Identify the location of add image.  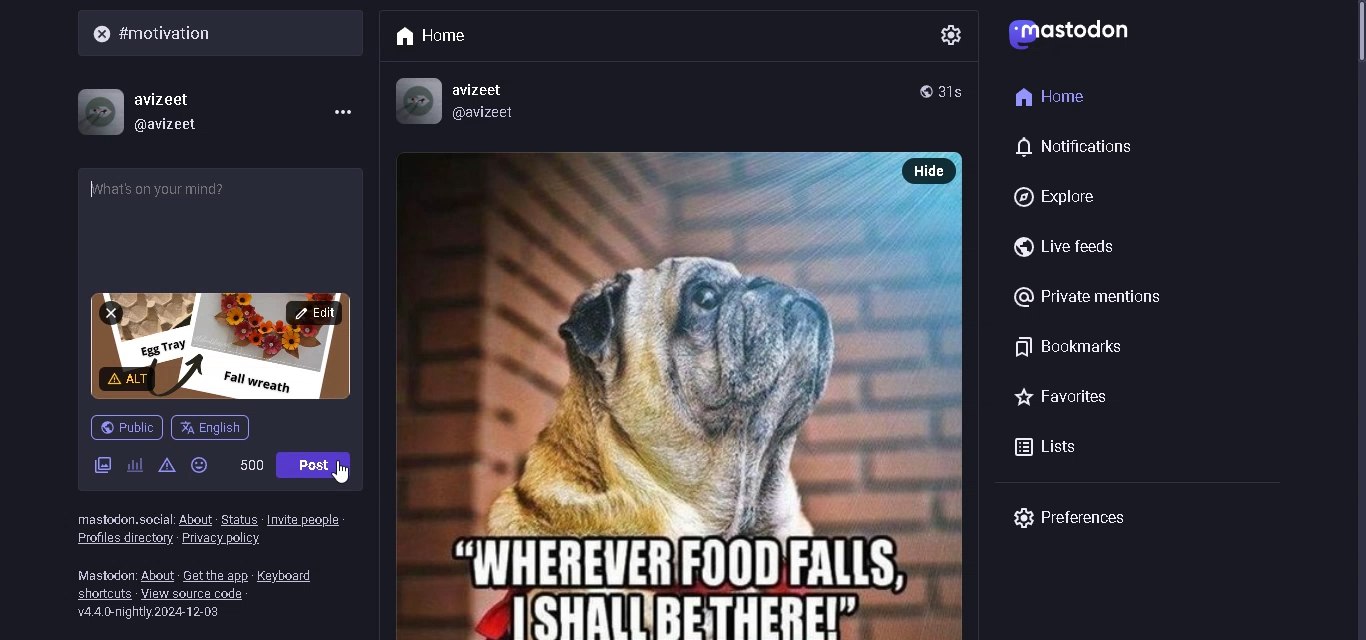
(101, 465).